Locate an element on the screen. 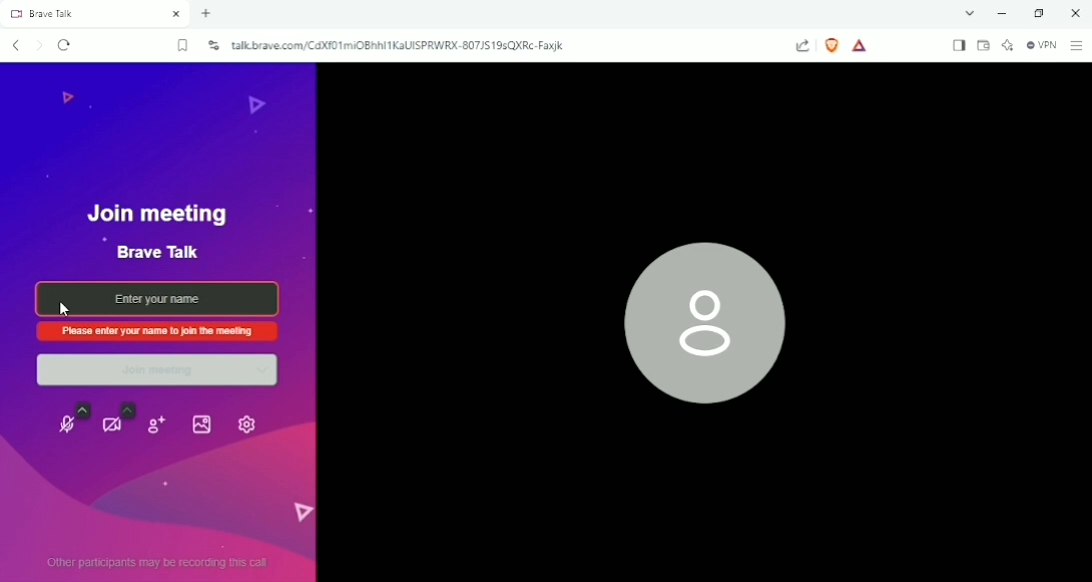  Search tabs is located at coordinates (971, 13).